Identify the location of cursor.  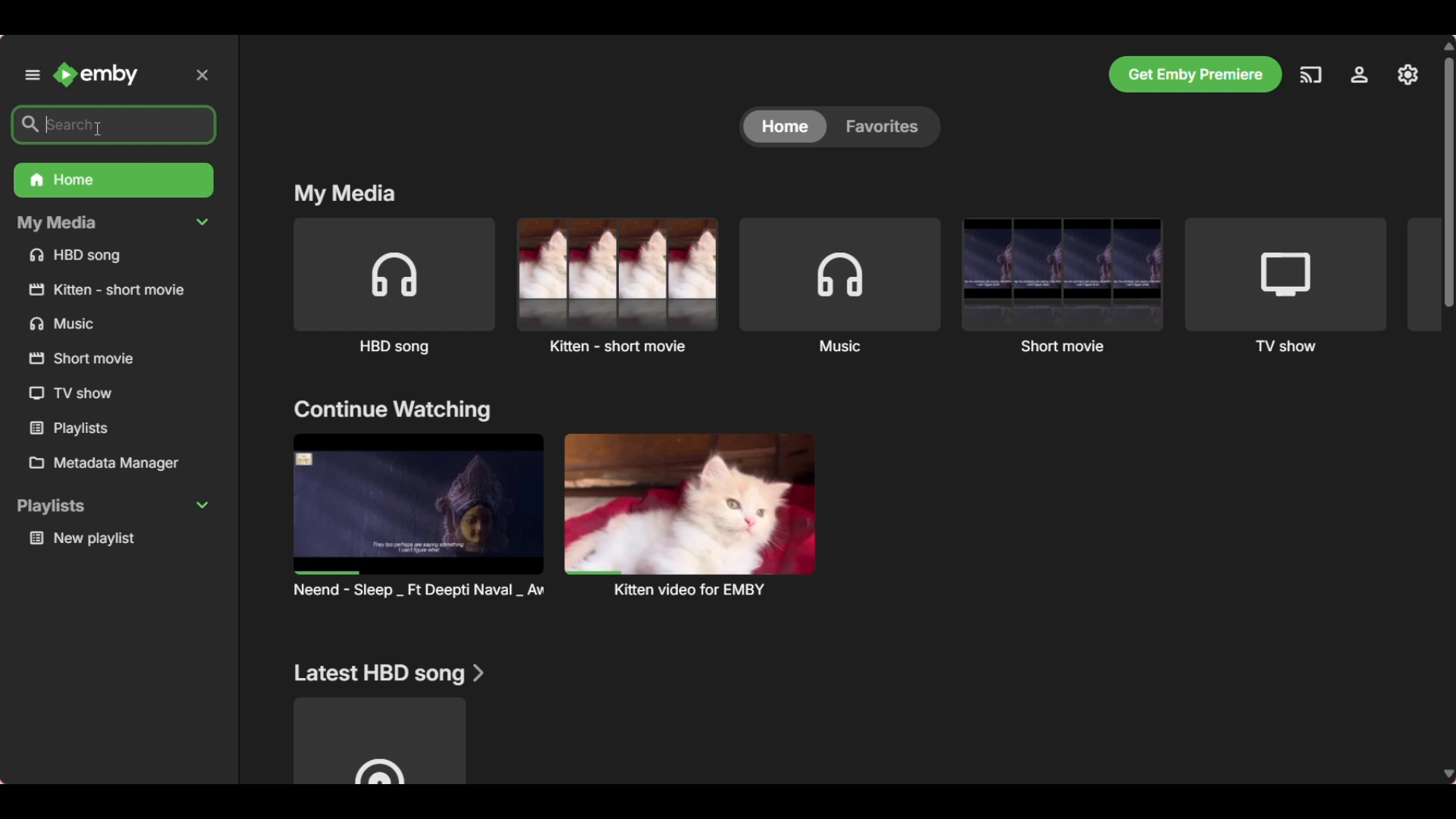
(105, 125).